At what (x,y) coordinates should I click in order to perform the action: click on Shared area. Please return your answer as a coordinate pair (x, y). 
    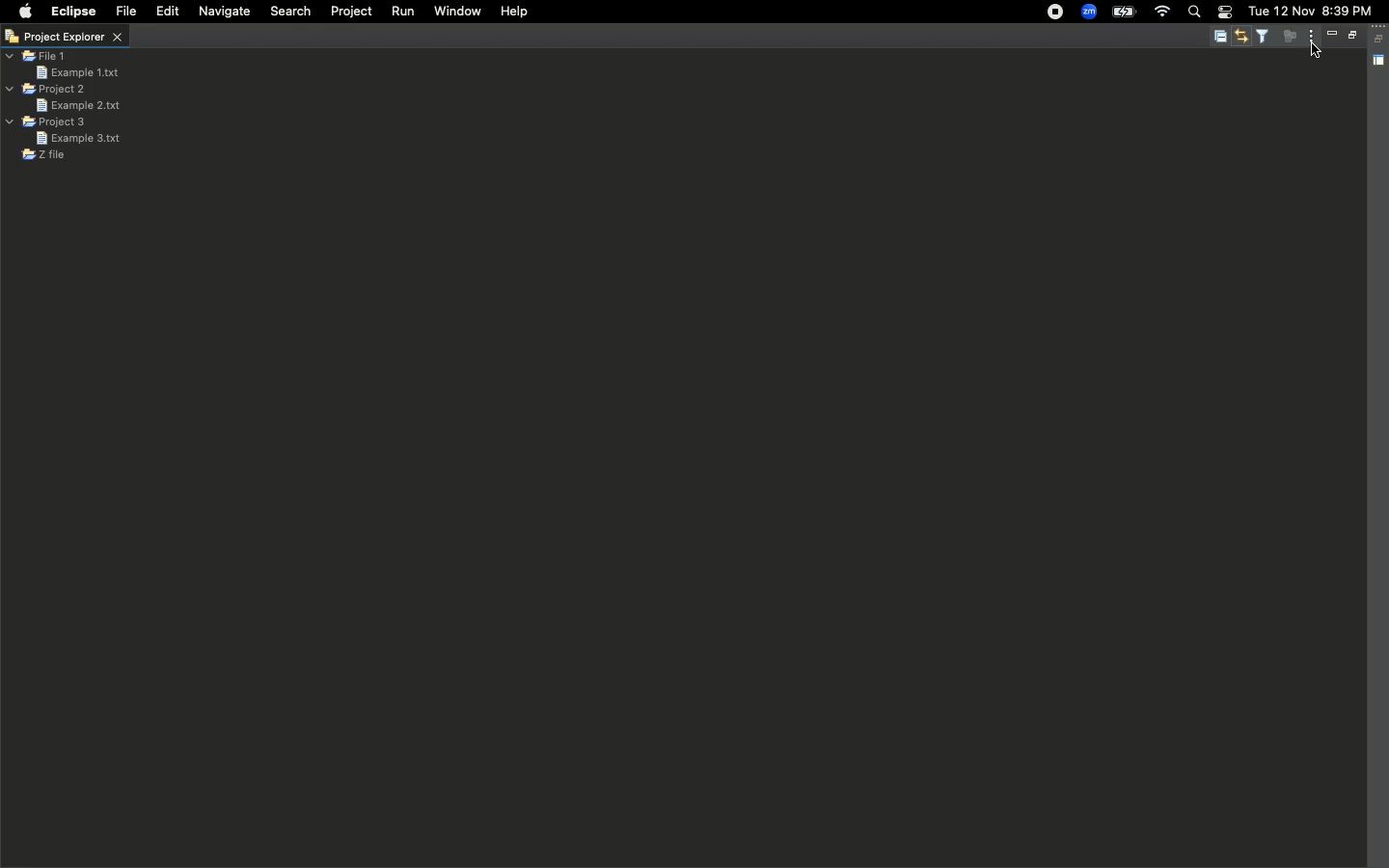
    Looking at the image, I should click on (1380, 62).